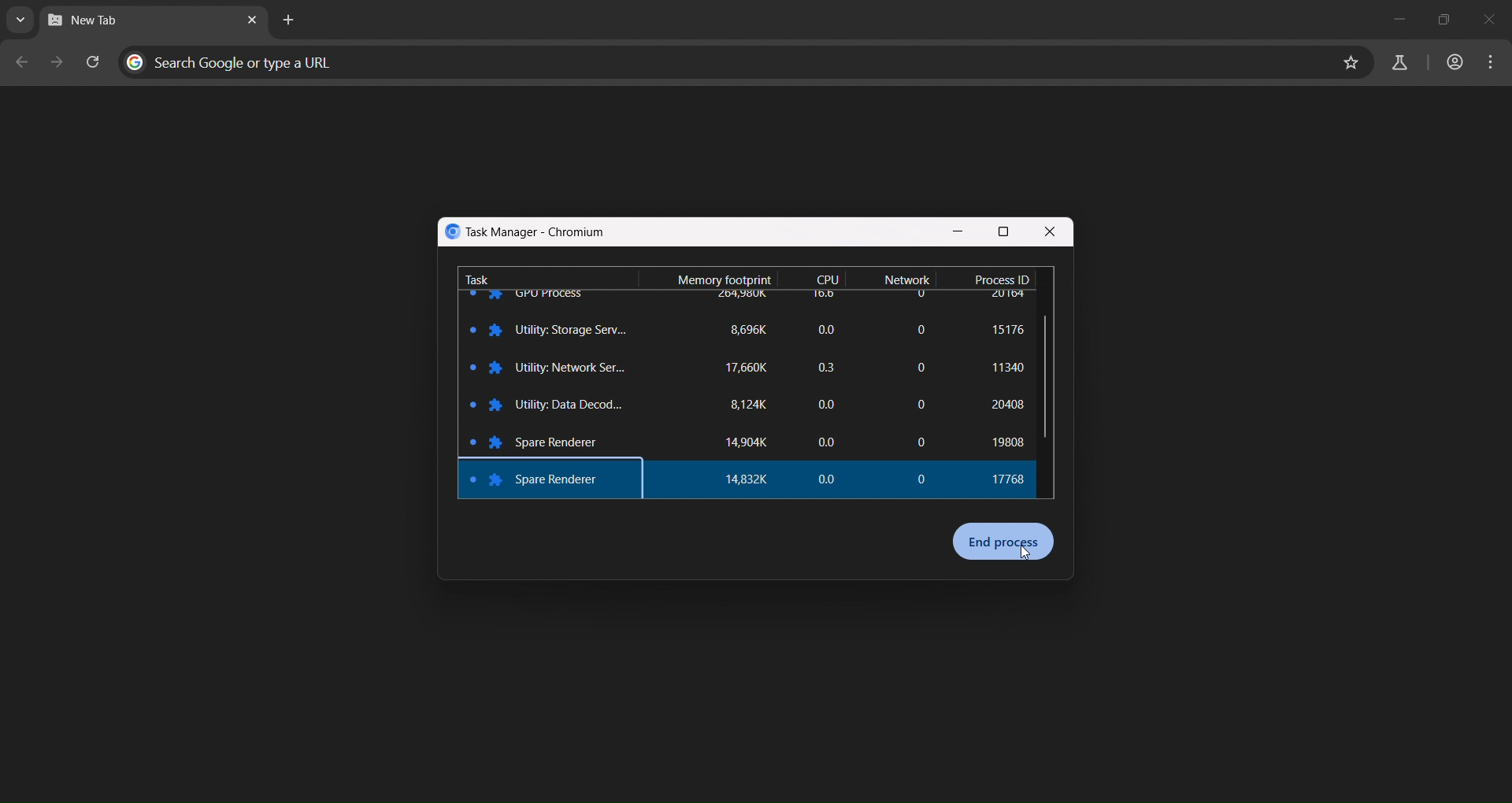 Image resolution: width=1512 pixels, height=803 pixels. Describe the element at coordinates (479, 276) in the screenshot. I see `Task` at that location.